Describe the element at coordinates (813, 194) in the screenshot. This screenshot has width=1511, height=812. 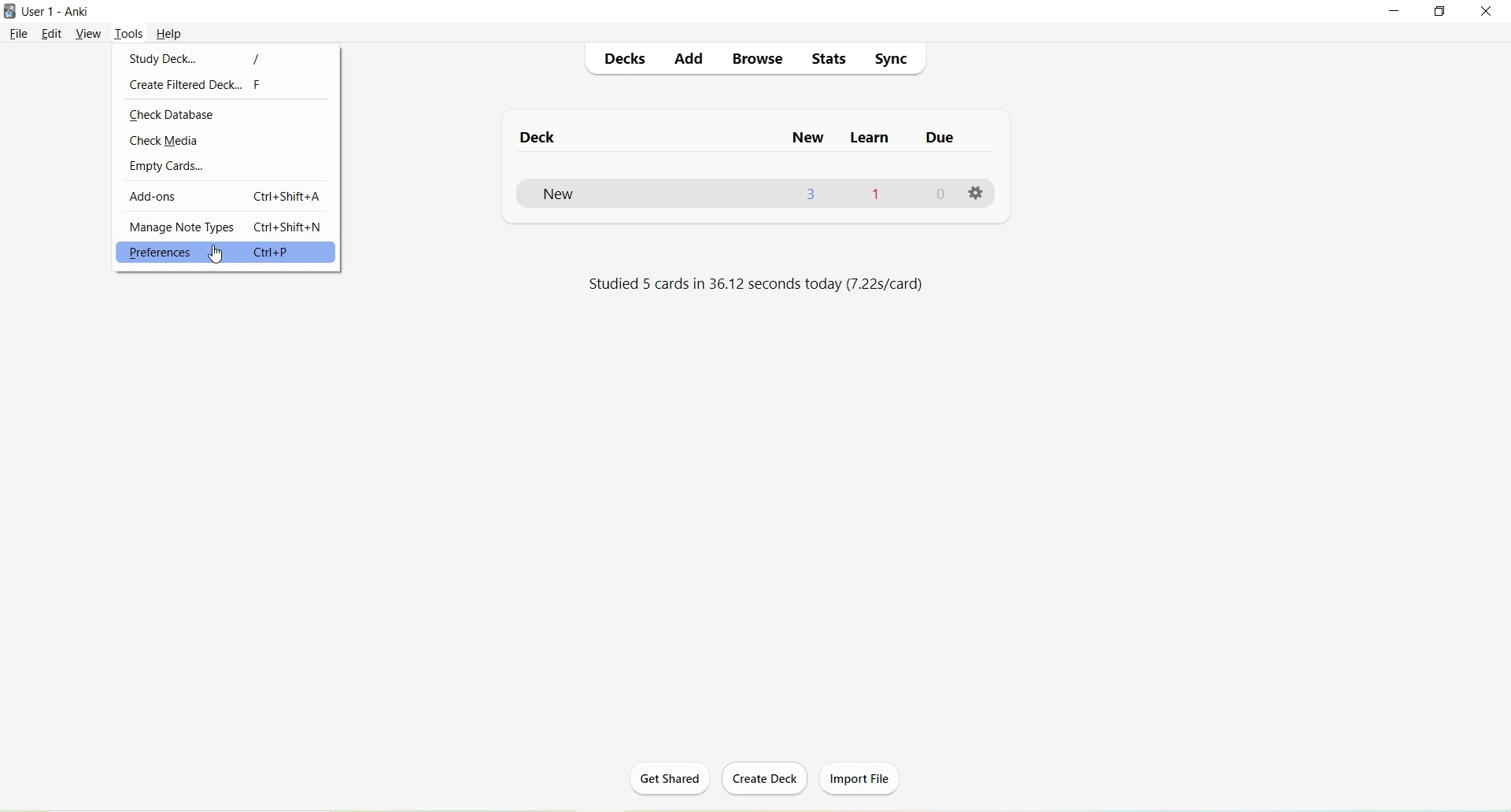
I see `3` at that location.